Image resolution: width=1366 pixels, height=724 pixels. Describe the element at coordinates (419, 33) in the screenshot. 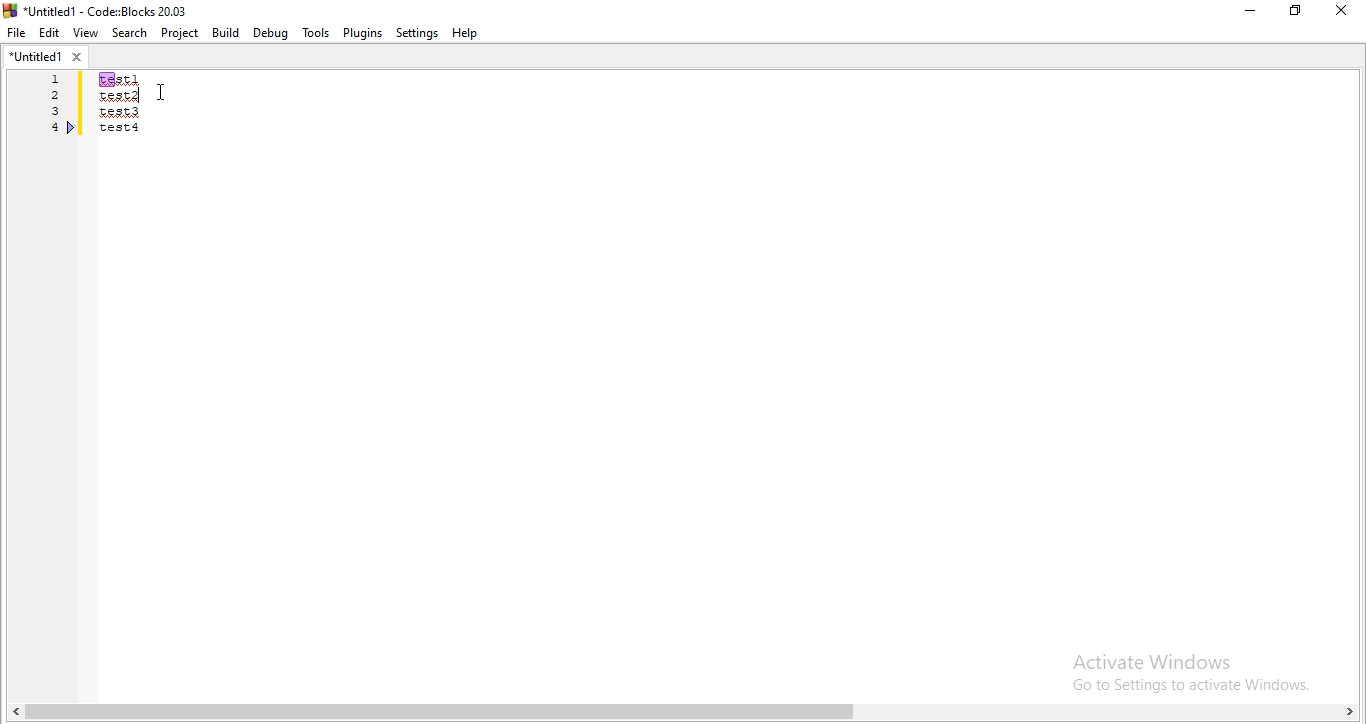

I see `Settings ` at that location.